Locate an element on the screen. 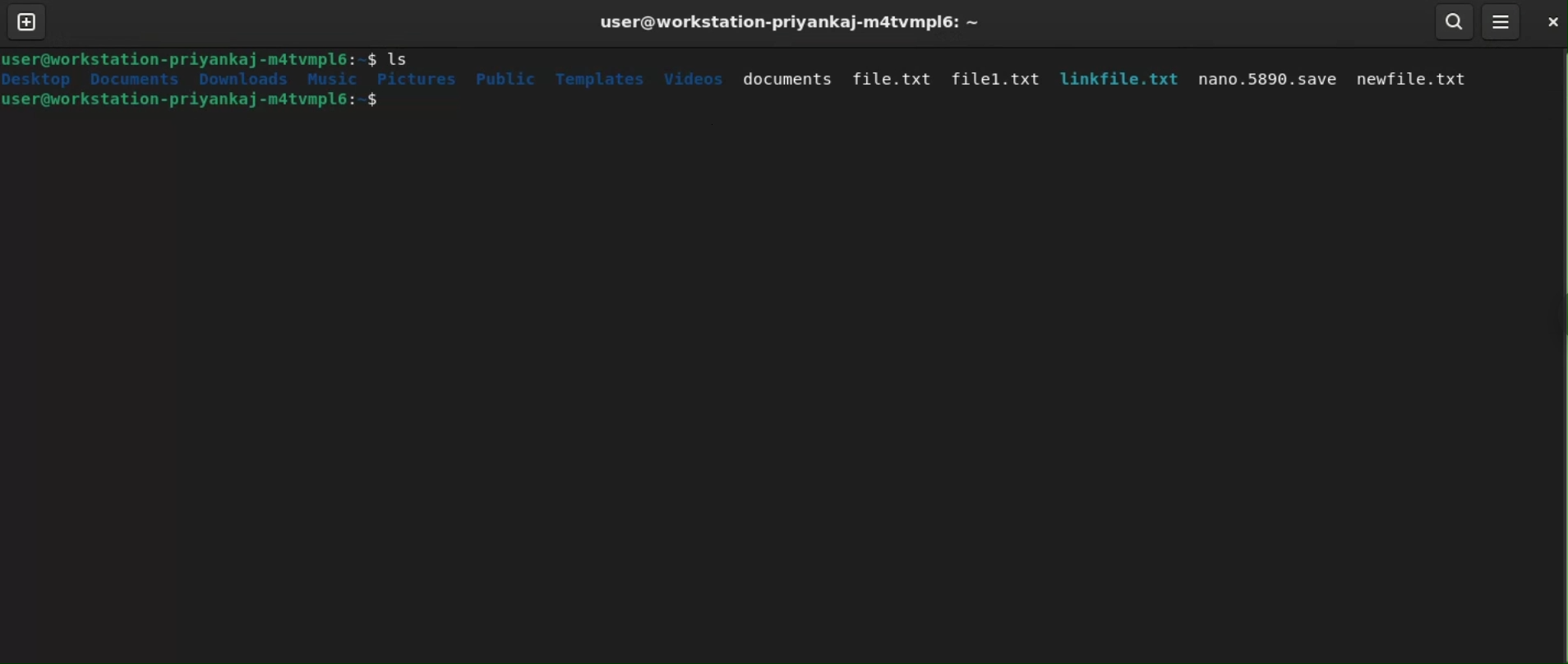  search is located at coordinates (1455, 21).